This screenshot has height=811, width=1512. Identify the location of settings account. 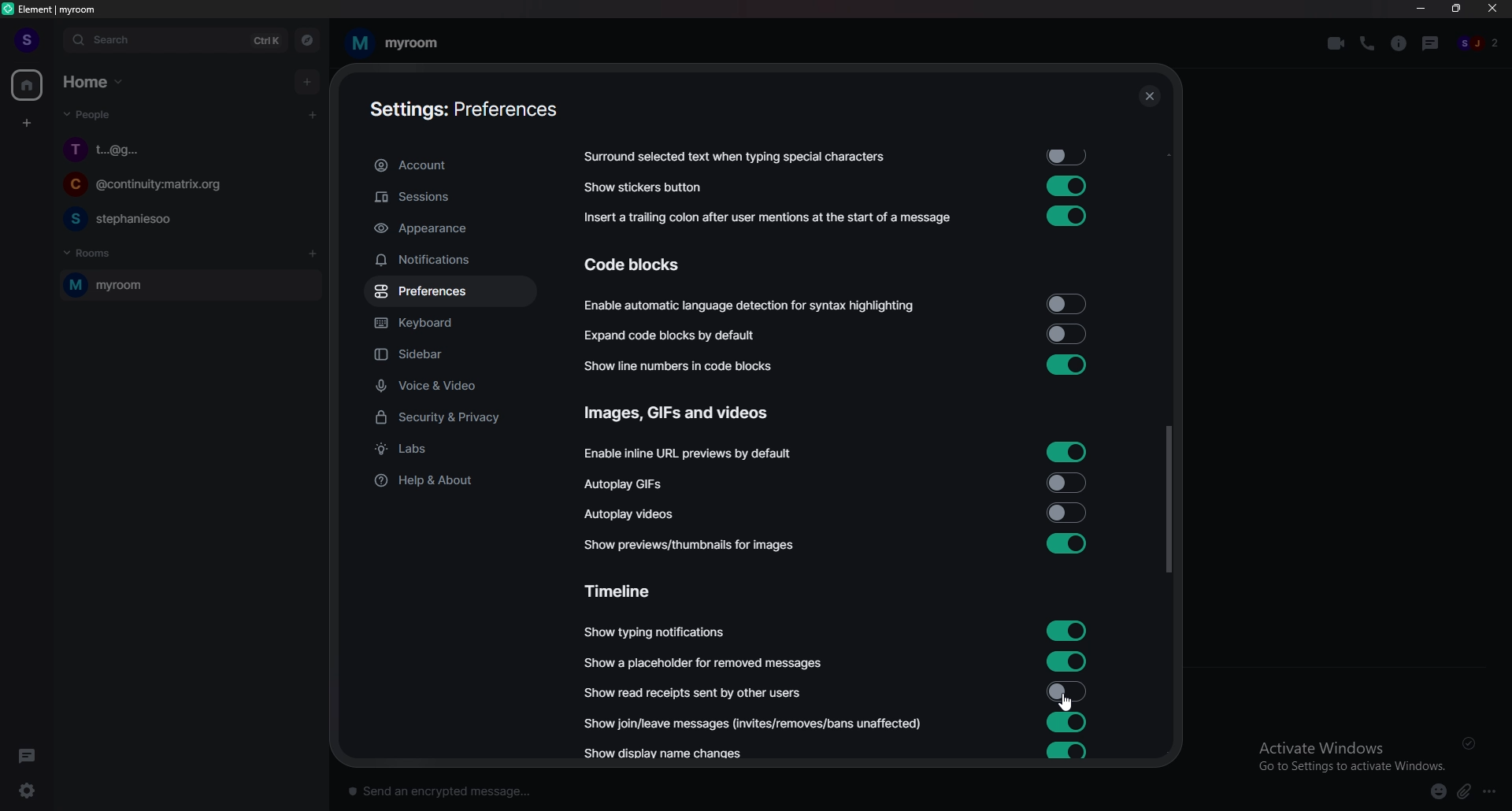
(462, 111).